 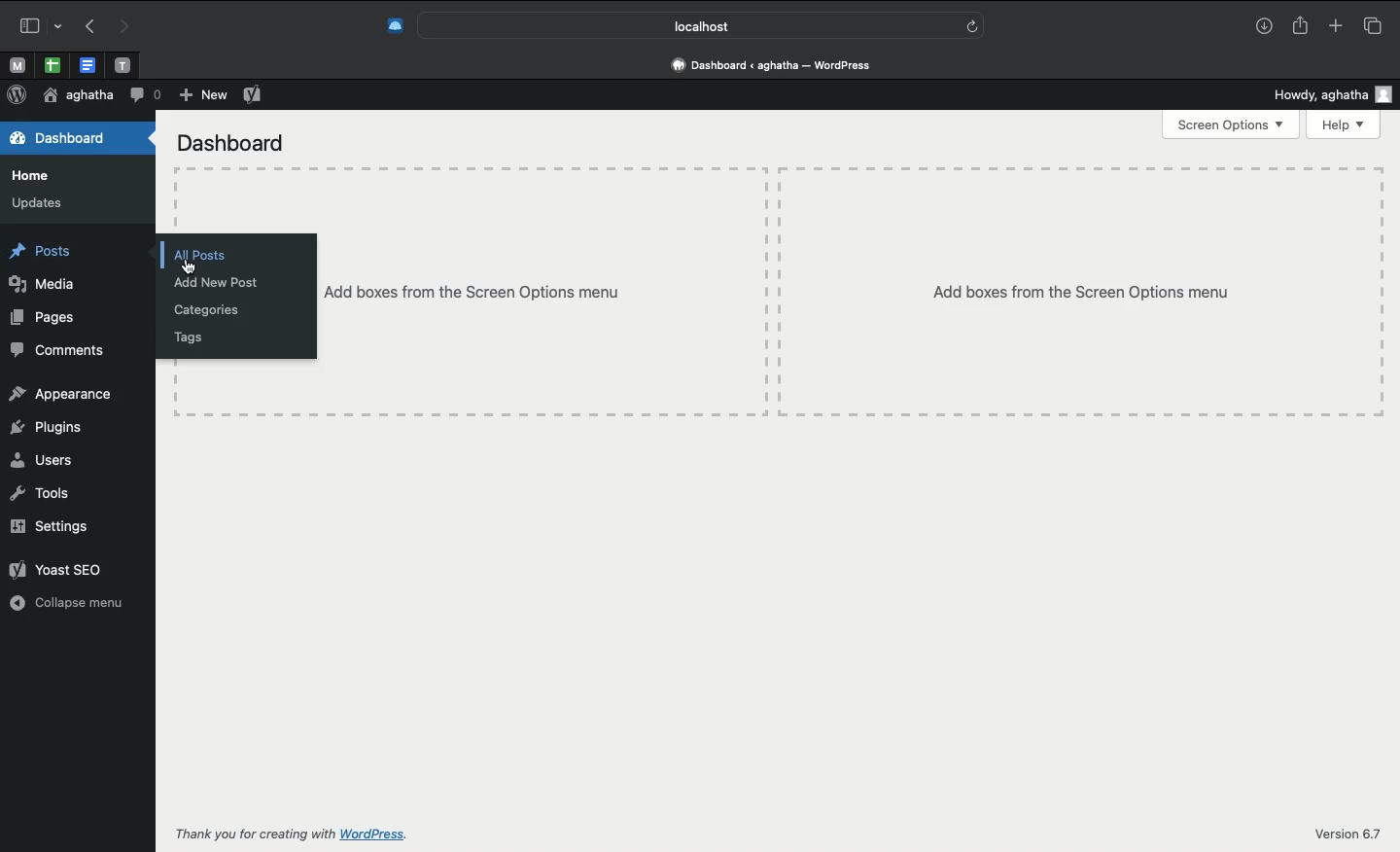 I want to click on Help, so click(x=1344, y=125).